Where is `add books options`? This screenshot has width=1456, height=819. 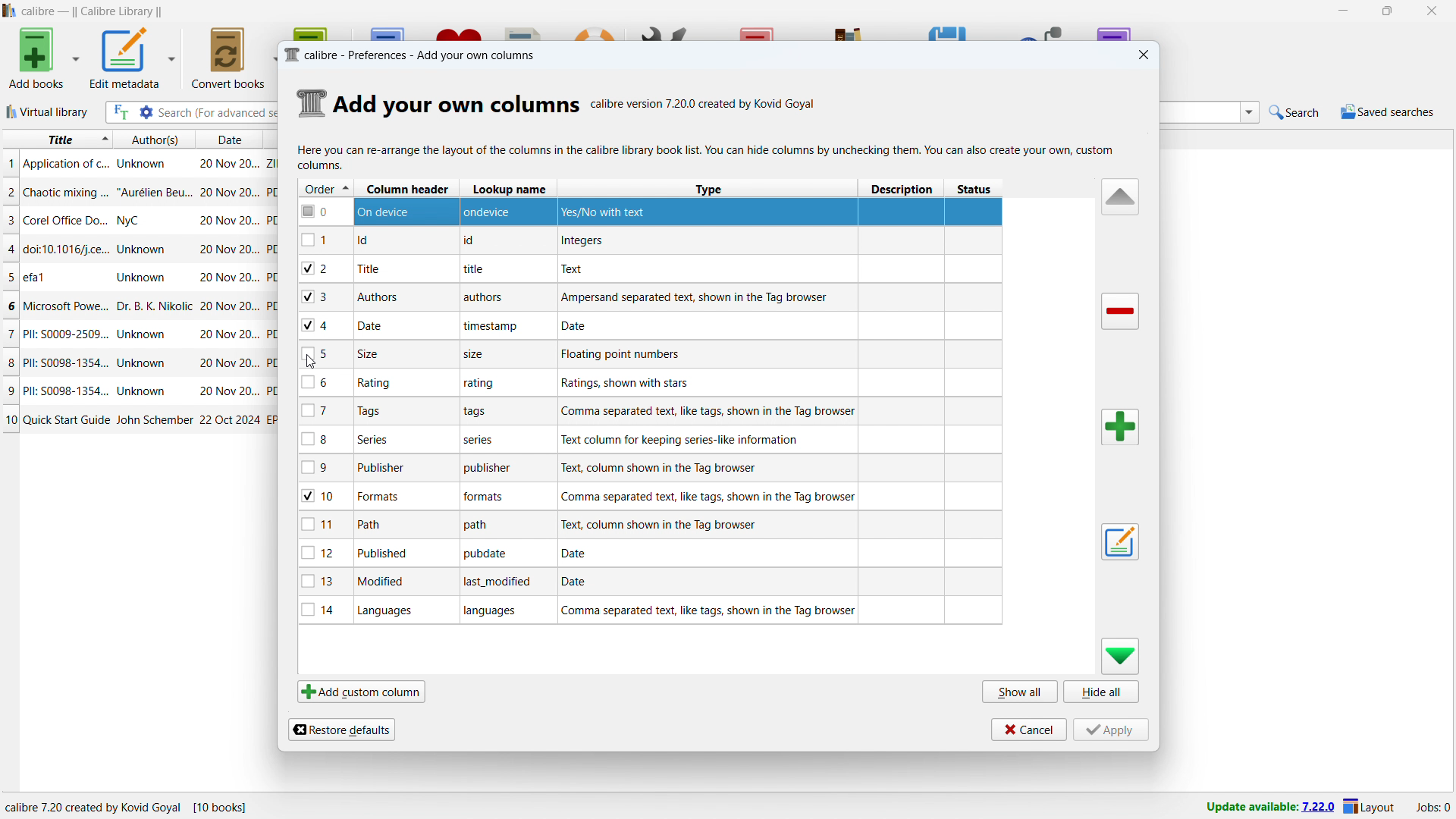 add books options is located at coordinates (77, 57).